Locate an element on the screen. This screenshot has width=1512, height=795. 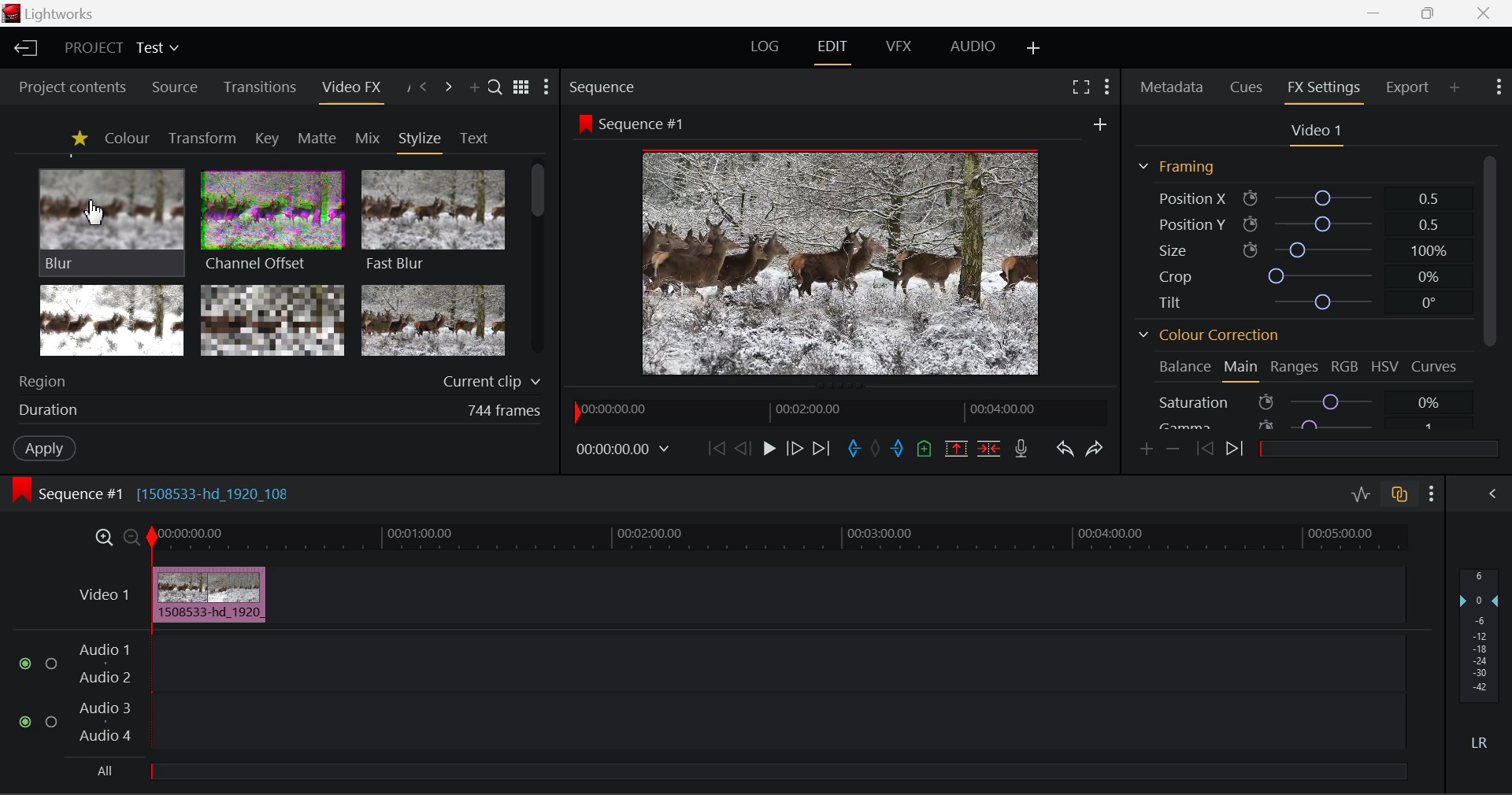
Video Layer is located at coordinates (101, 593).